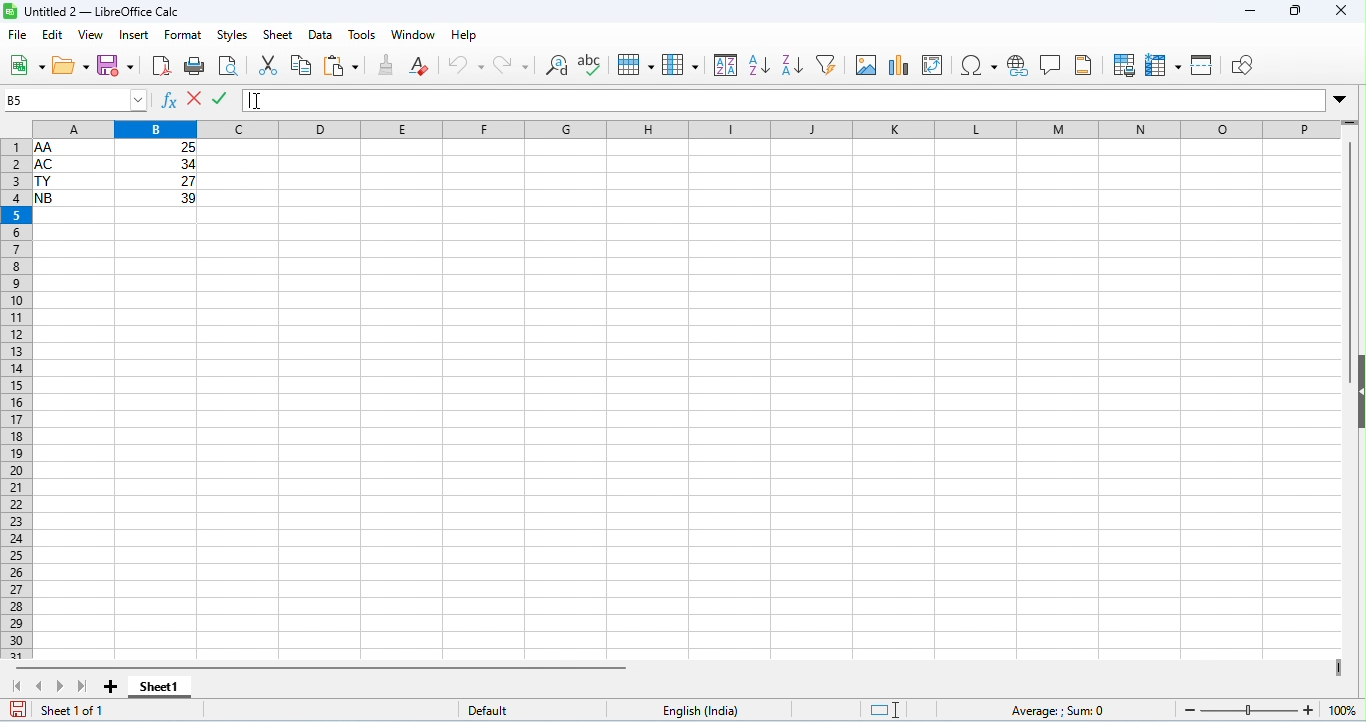 This screenshot has width=1366, height=722. Describe the element at coordinates (423, 65) in the screenshot. I see `clear direct formatting` at that location.